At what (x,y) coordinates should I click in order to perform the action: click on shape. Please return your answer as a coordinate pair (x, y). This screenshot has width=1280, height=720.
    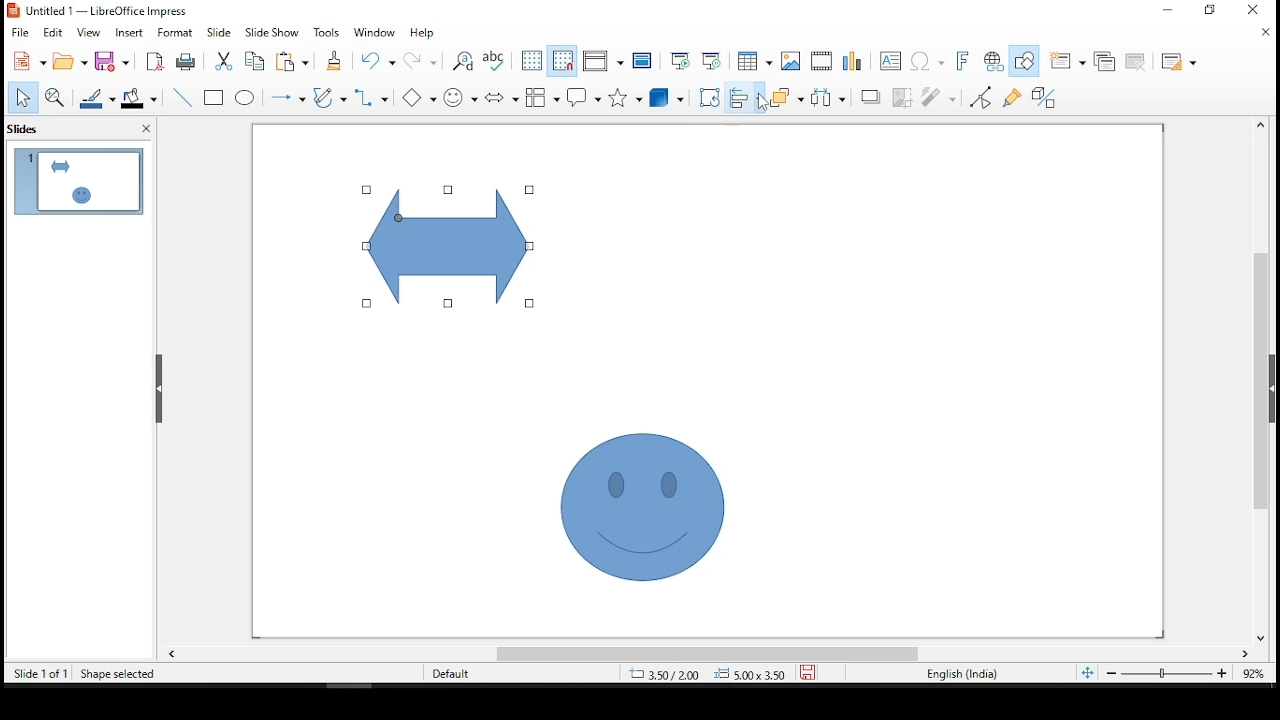
    Looking at the image, I should click on (643, 504).